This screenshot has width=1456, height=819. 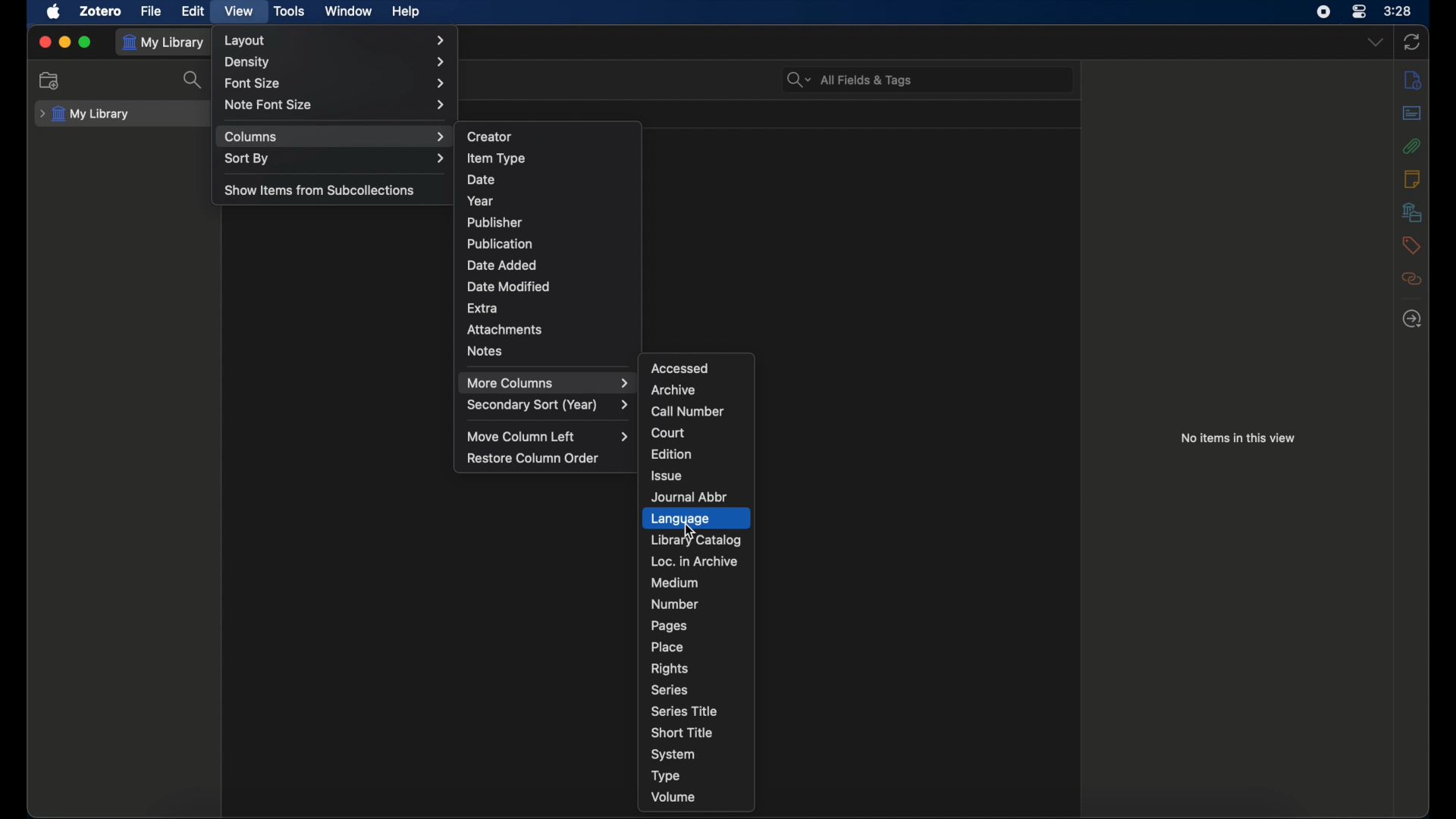 What do you see at coordinates (690, 498) in the screenshot?
I see `journal abbr` at bounding box center [690, 498].